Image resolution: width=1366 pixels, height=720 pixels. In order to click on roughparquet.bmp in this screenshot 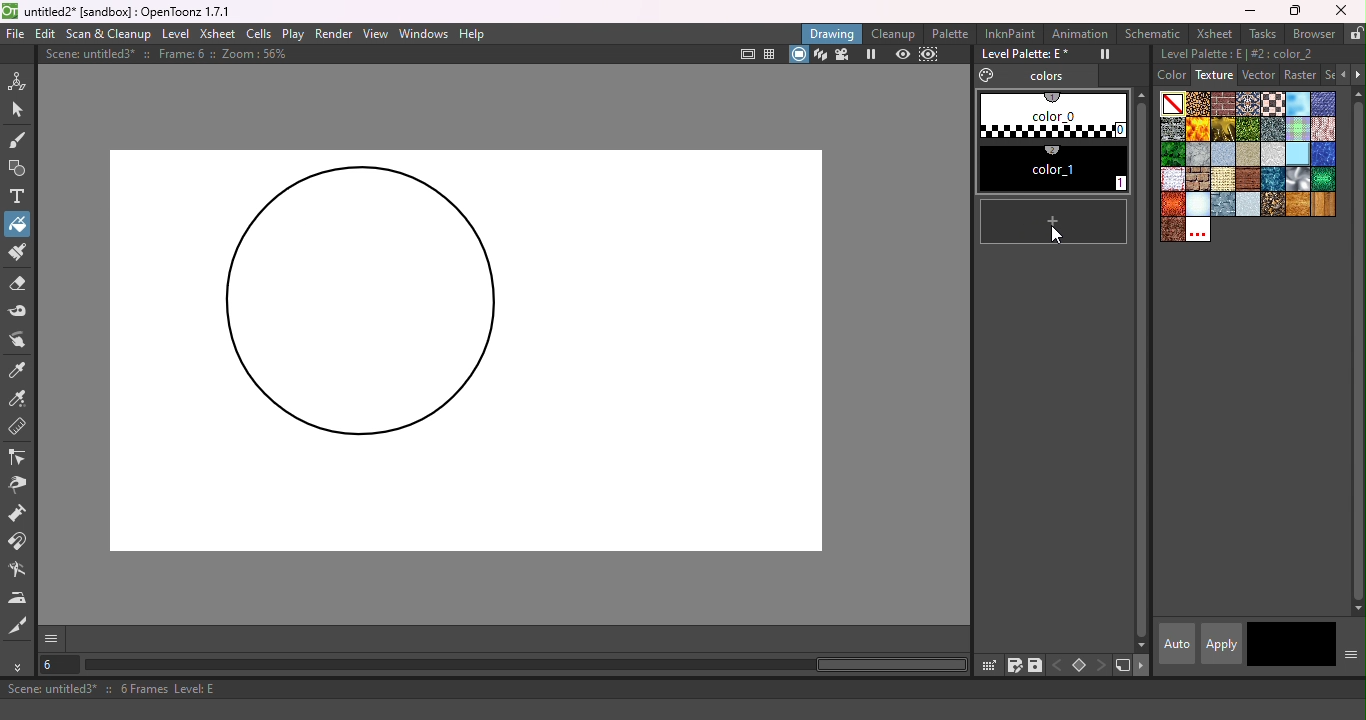, I will do `click(1249, 180)`.